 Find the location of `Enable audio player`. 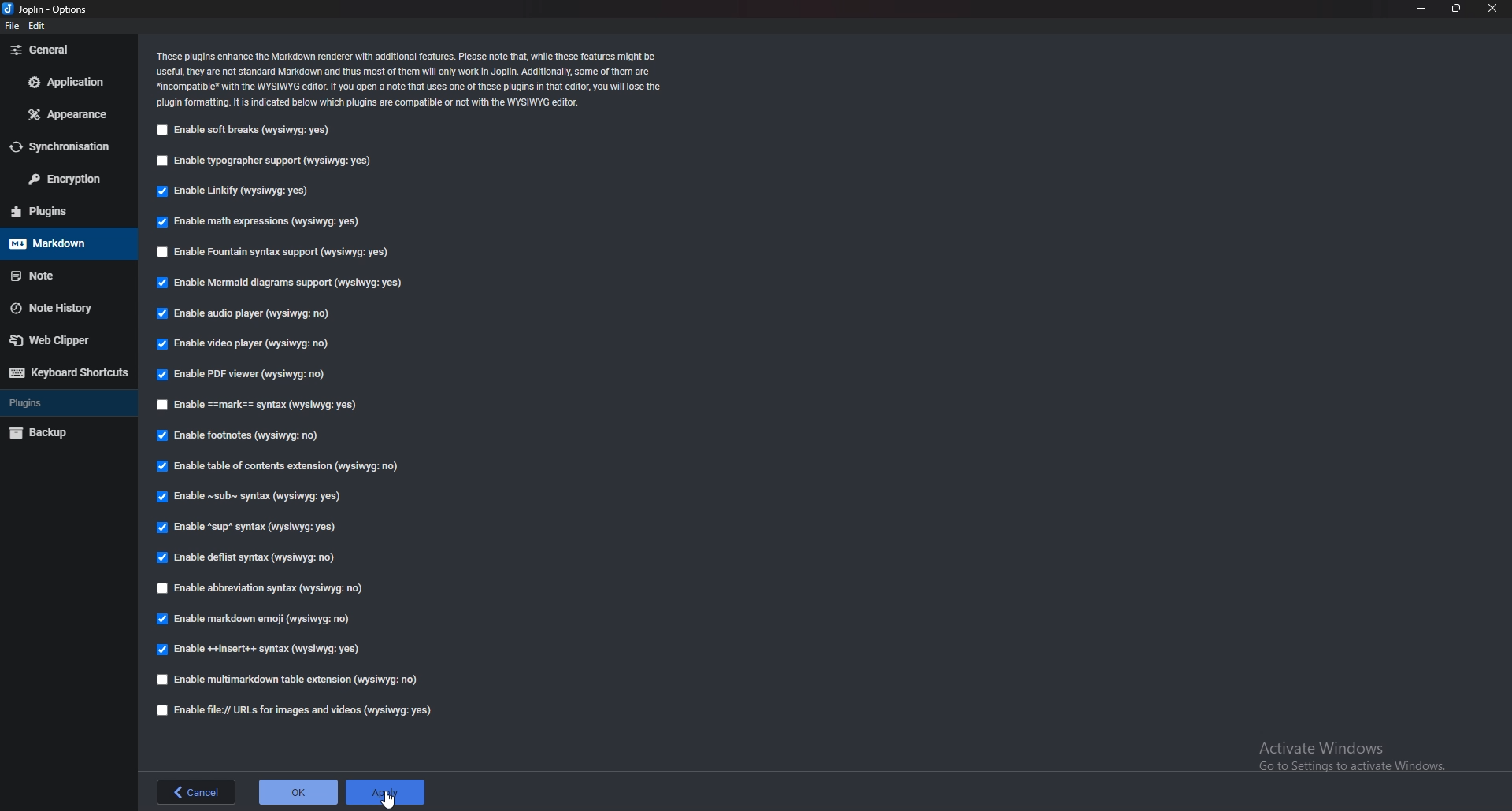

Enable audio player is located at coordinates (244, 314).